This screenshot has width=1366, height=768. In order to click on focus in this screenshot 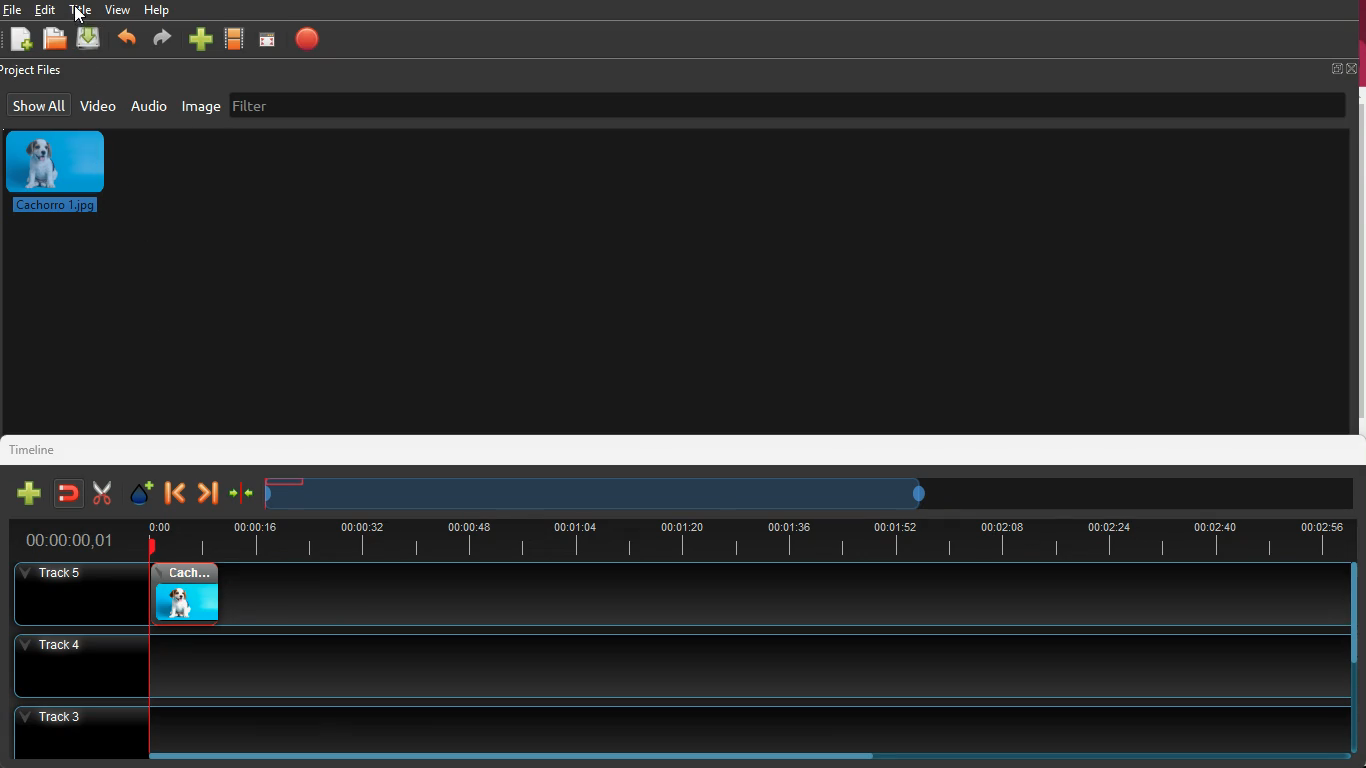, I will do `click(268, 39)`.